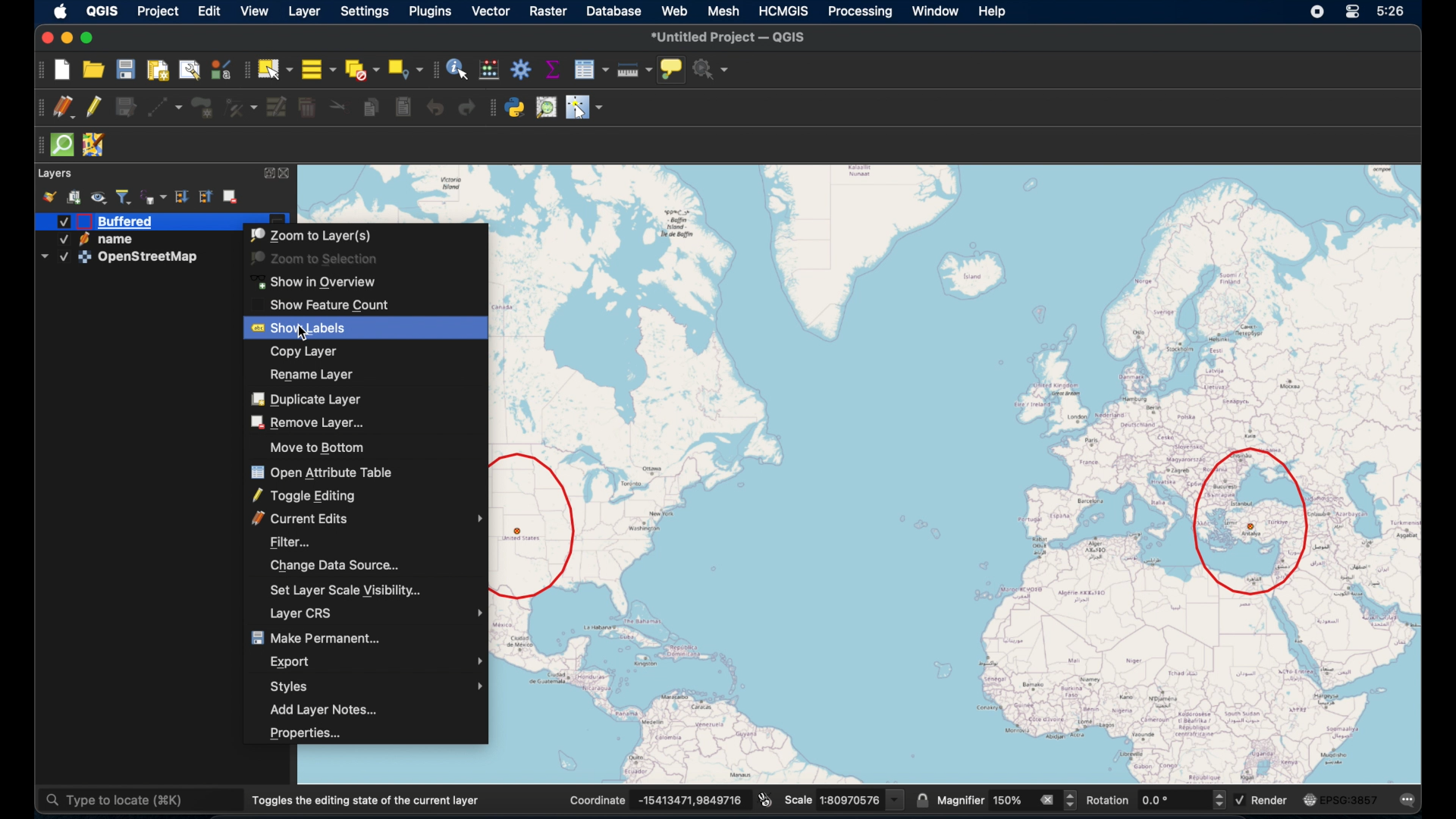  I want to click on increase or decrease magnifier value, so click(1072, 800).